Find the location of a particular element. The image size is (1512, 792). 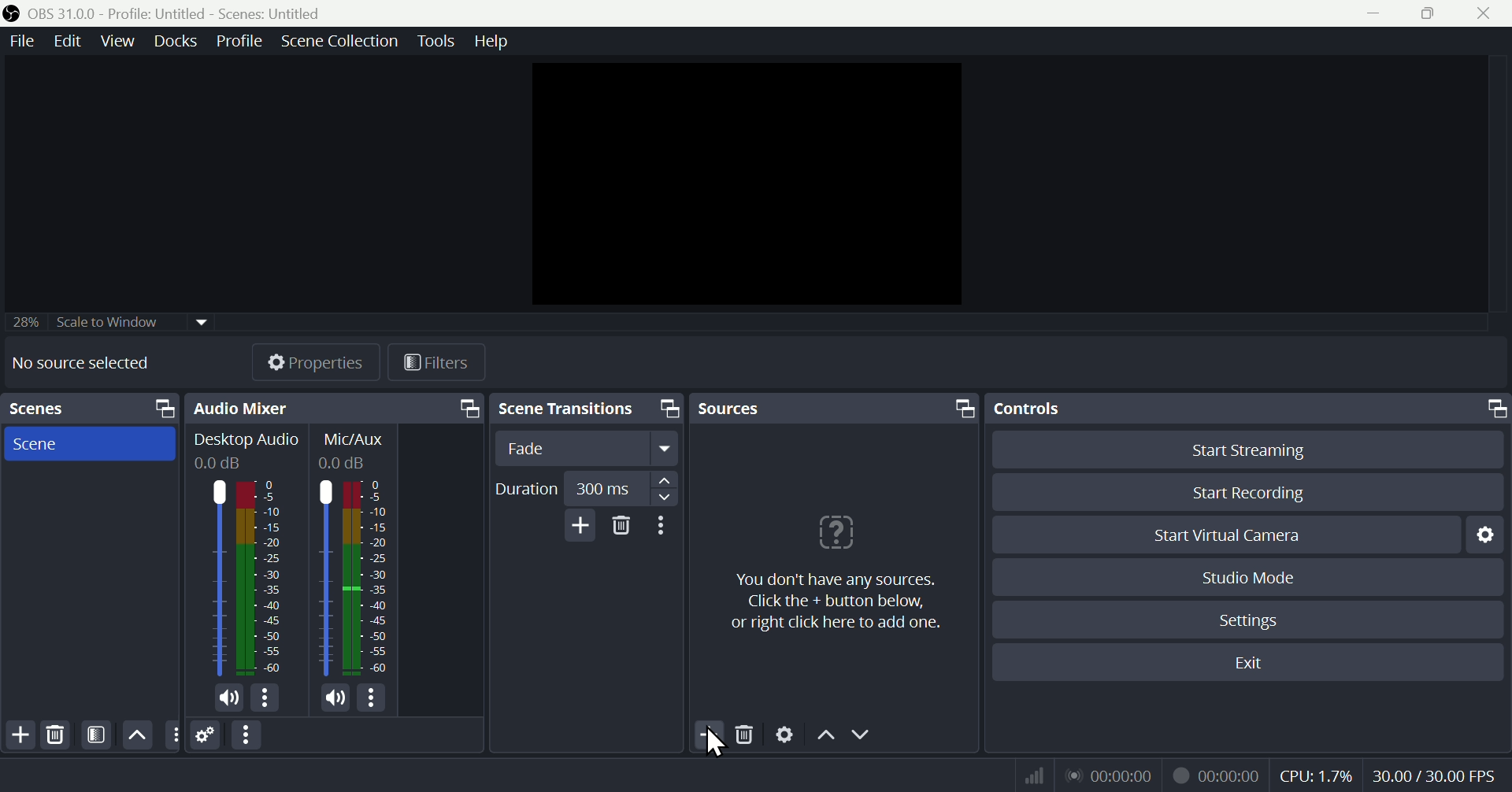

Profile is located at coordinates (239, 41).